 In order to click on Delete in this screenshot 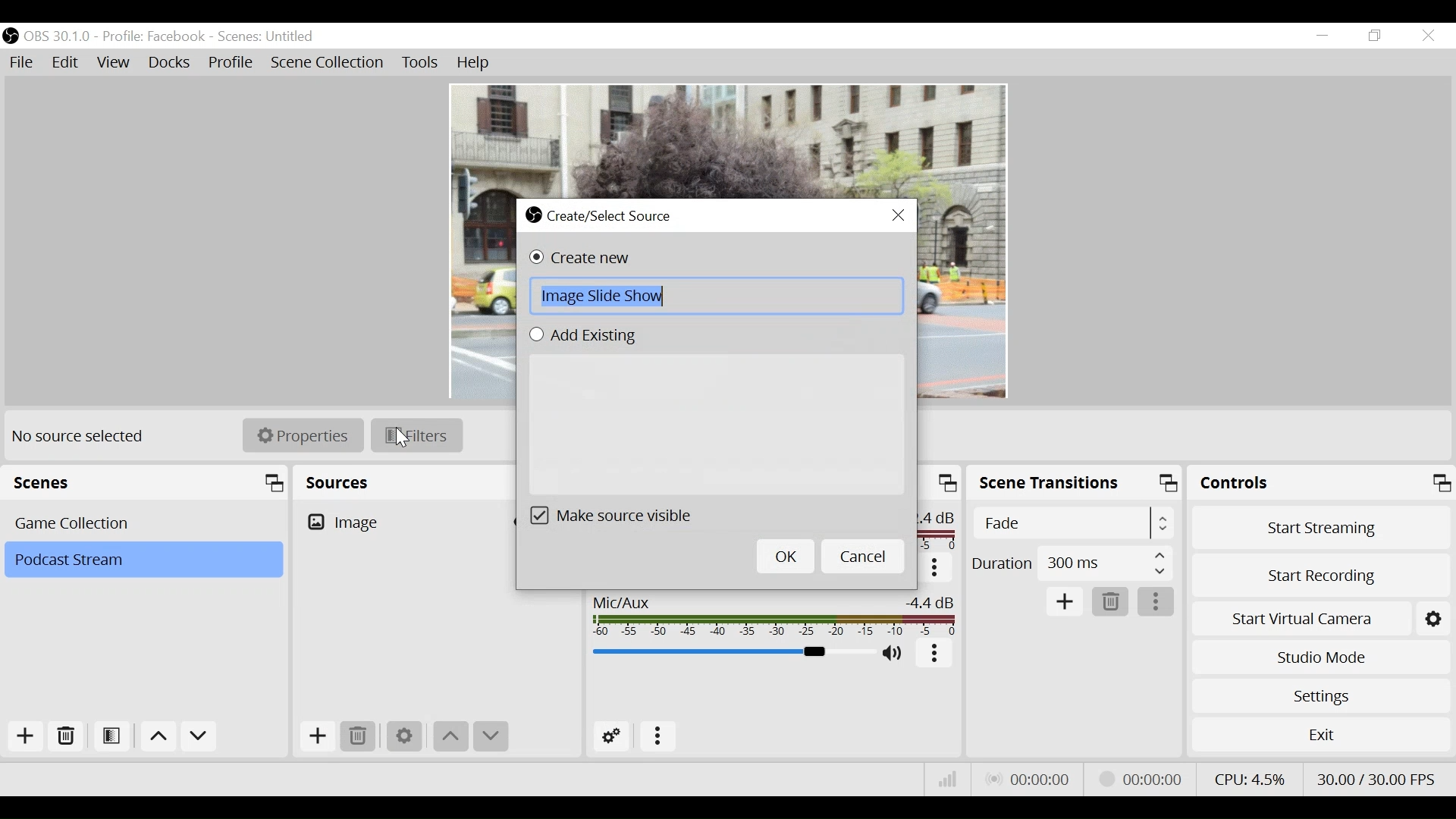, I will do `click(360, 737)`.